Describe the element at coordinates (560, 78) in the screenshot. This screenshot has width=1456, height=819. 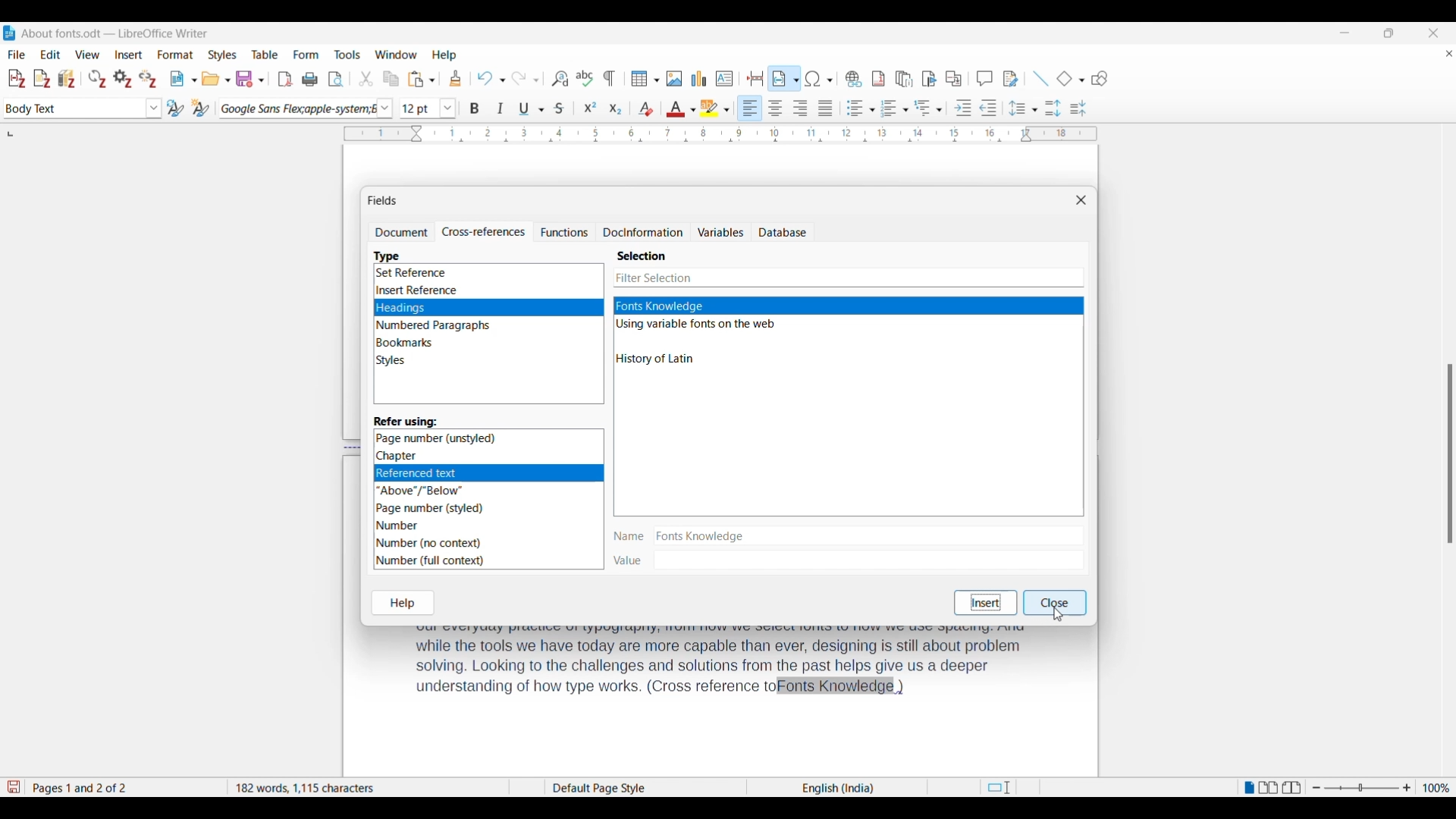
I see `Find and replace` at that location.